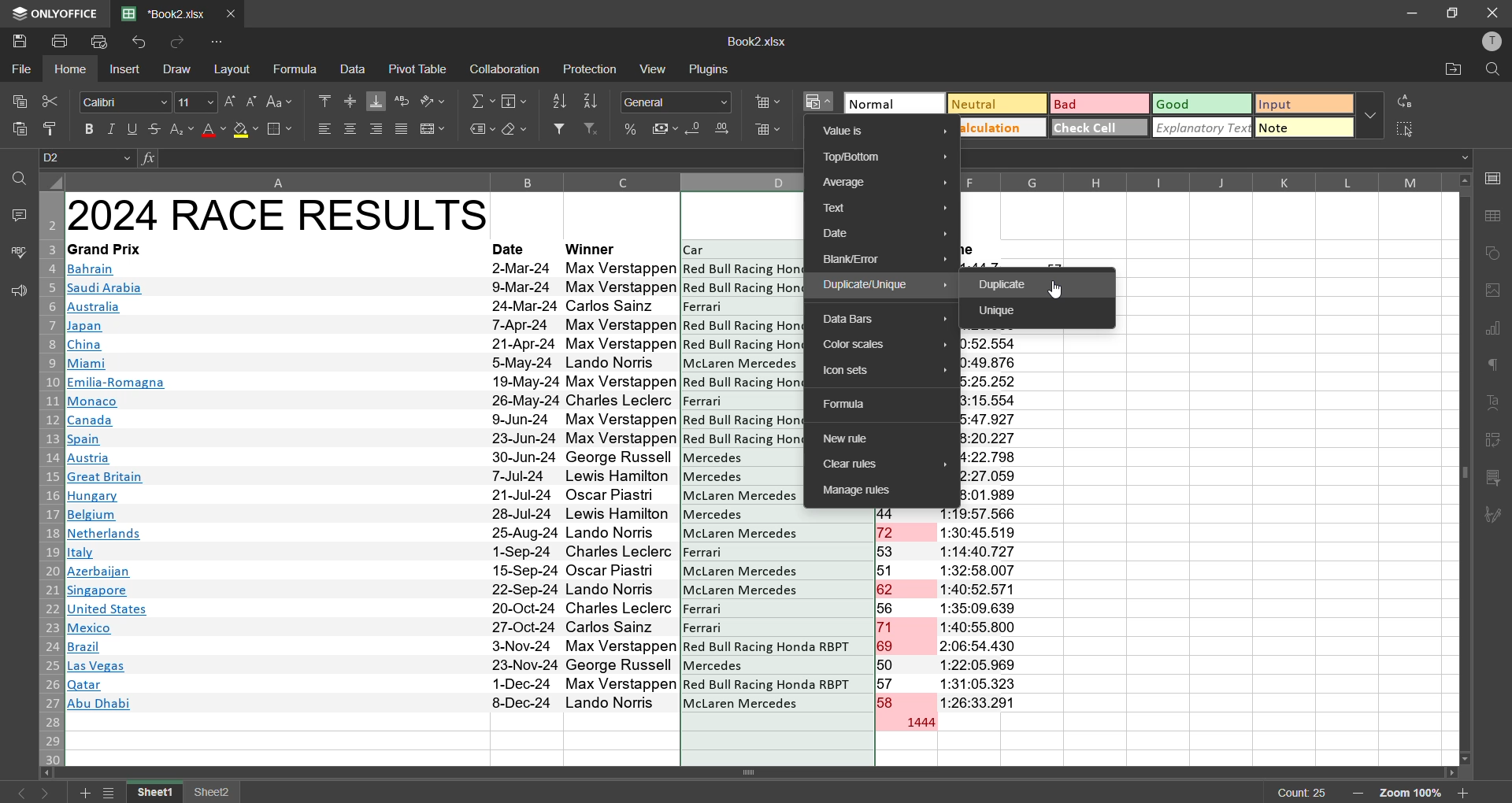 Image resolution: width=1512 pixels, height=803 pixels. Describe the element at coordinates (879, 464) in the screenshot. I see `clear rules` at that location.